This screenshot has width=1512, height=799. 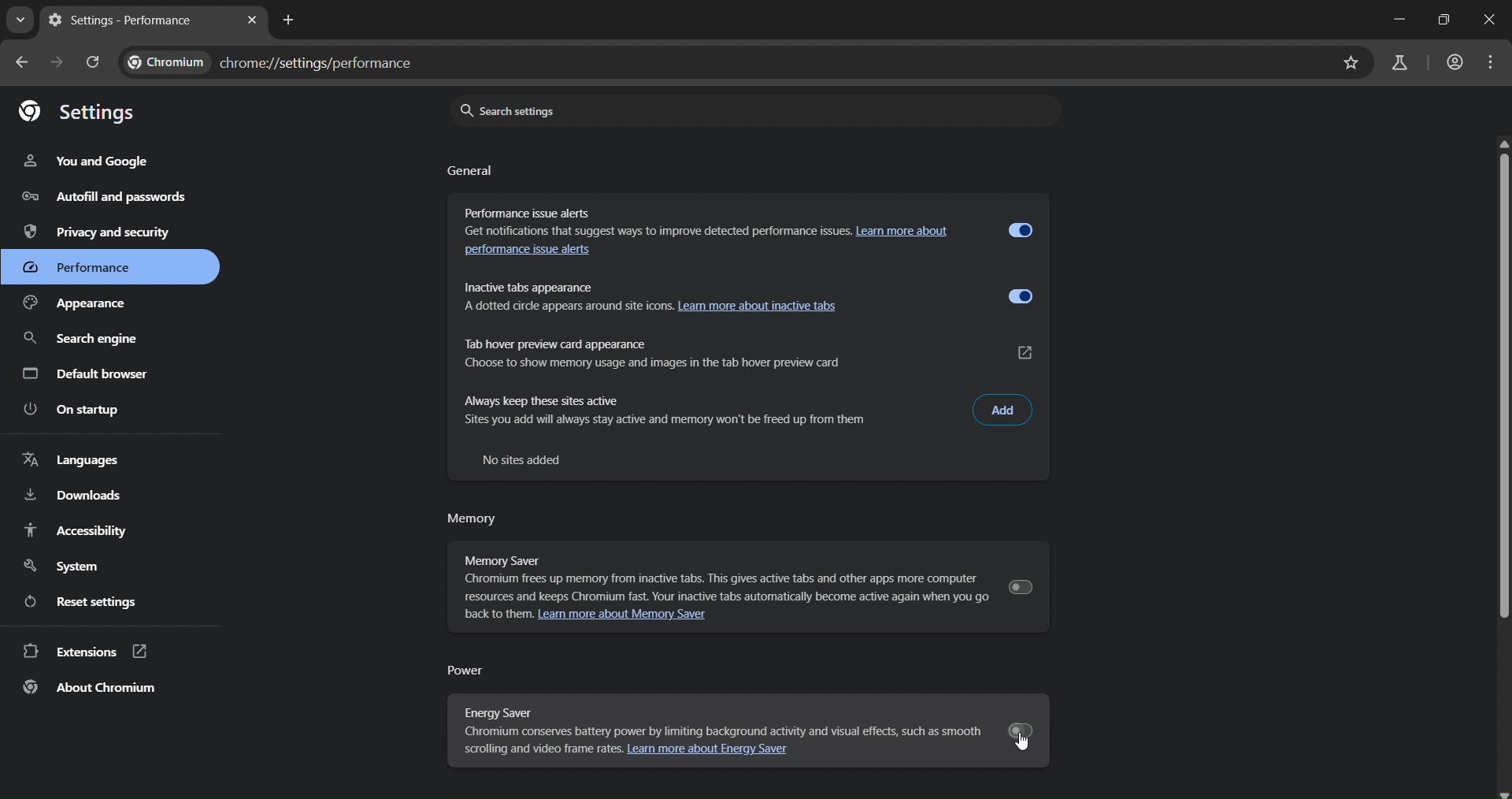 What do you see at coordinates (1489, 62) in the screenshot?
I see `menu` at bounding box center [1489, 62].